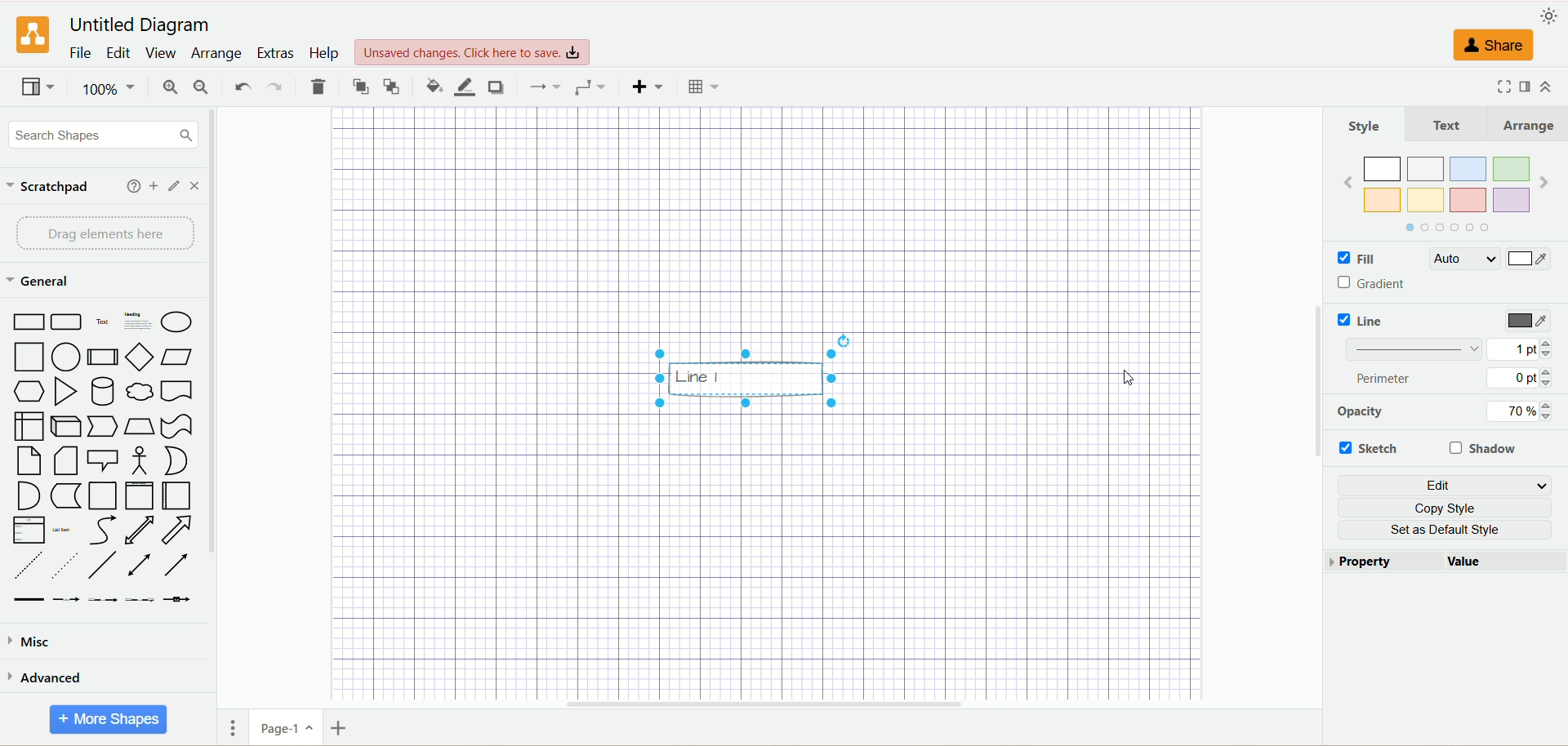  I want to click on Checkbox, so click(1343, 282).